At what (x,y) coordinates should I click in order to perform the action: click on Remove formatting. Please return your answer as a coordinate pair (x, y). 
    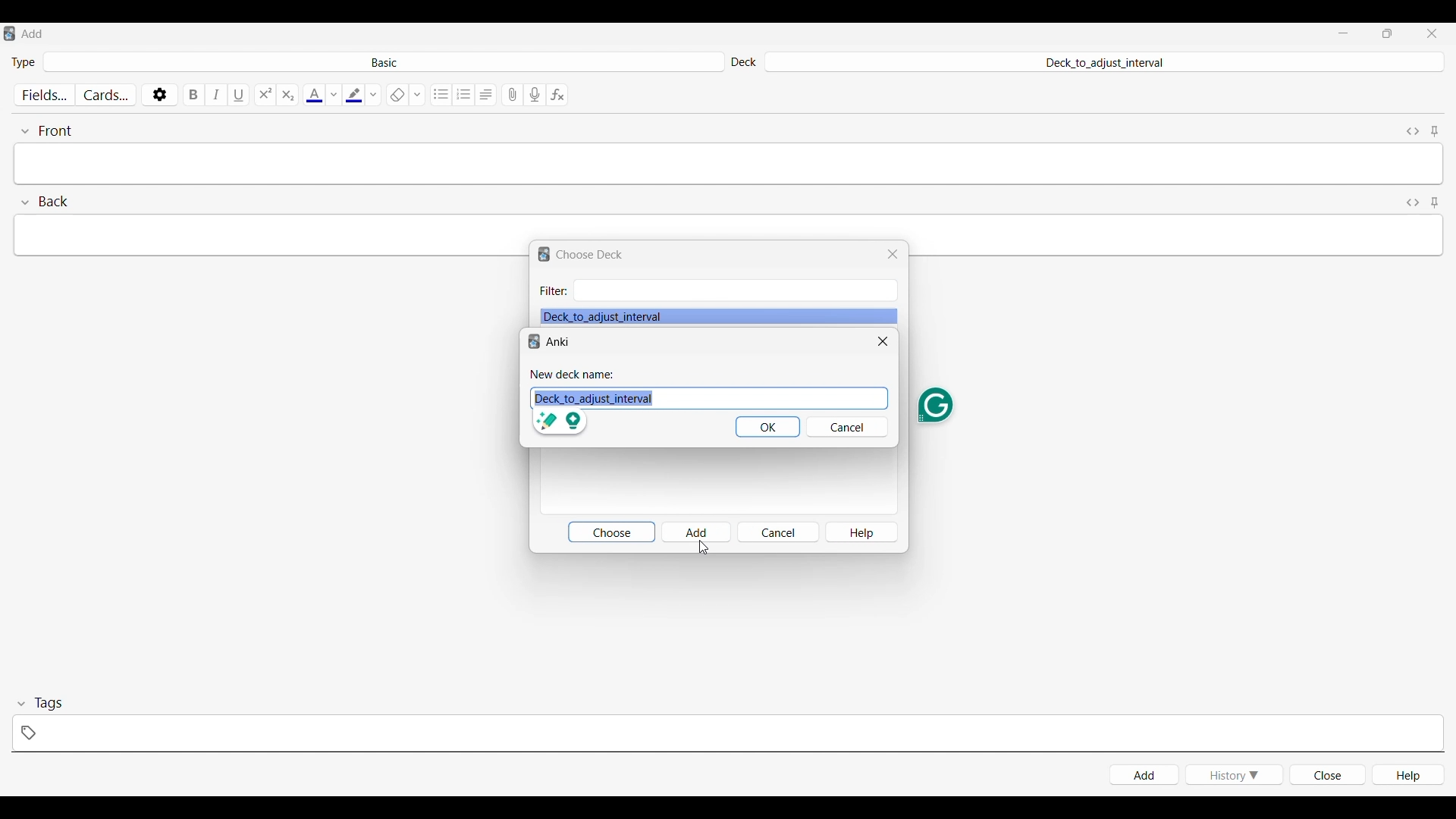
    Looking at the image, I should click on (397, 95).